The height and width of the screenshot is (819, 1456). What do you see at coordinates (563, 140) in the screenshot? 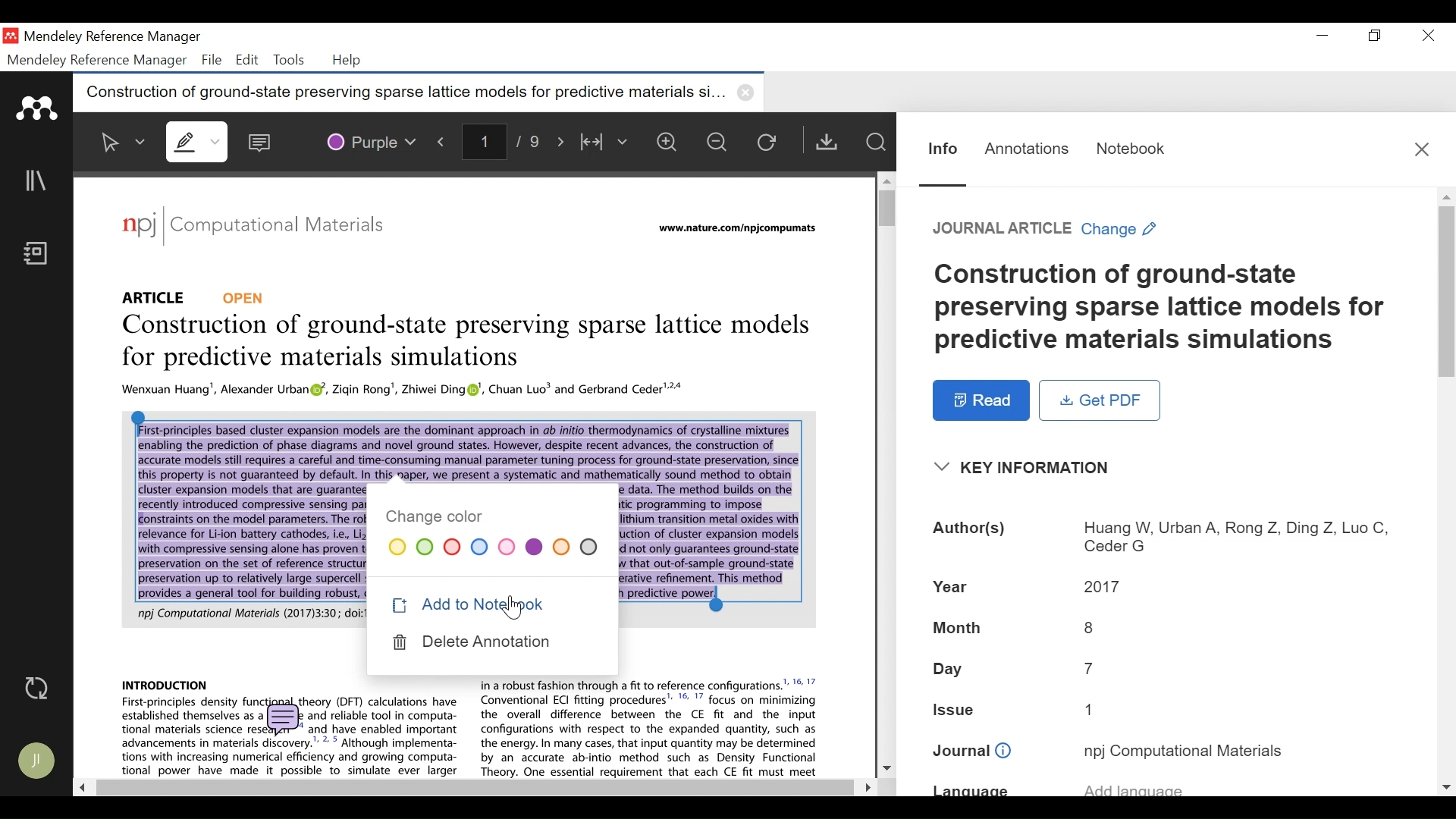
I see `Next Page` at bounding box center [563, 140].